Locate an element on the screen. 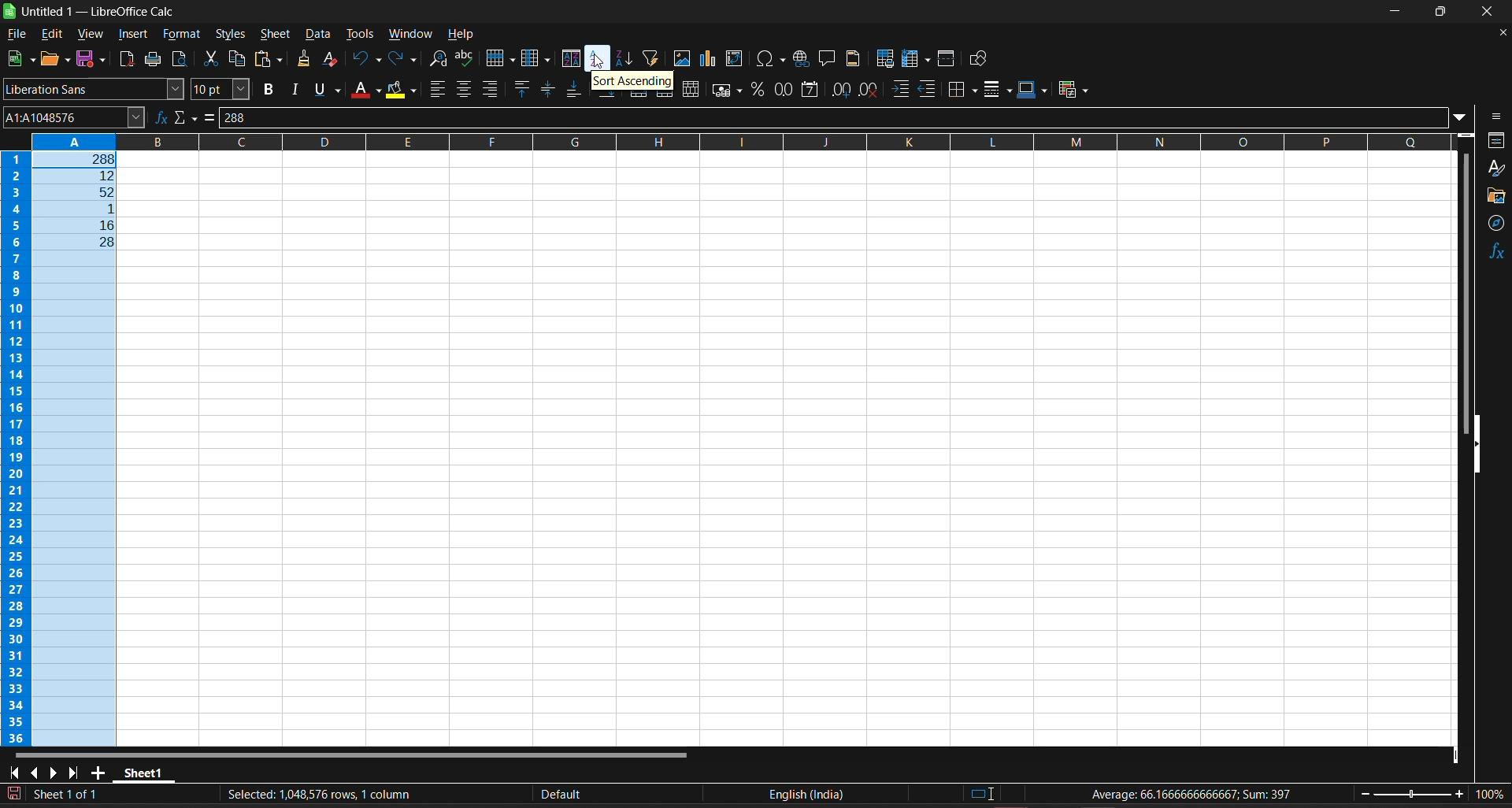 Image resolution: width=1512 pixels, height=808 pixels. delete decimal place is located at coordinates (872, 90).